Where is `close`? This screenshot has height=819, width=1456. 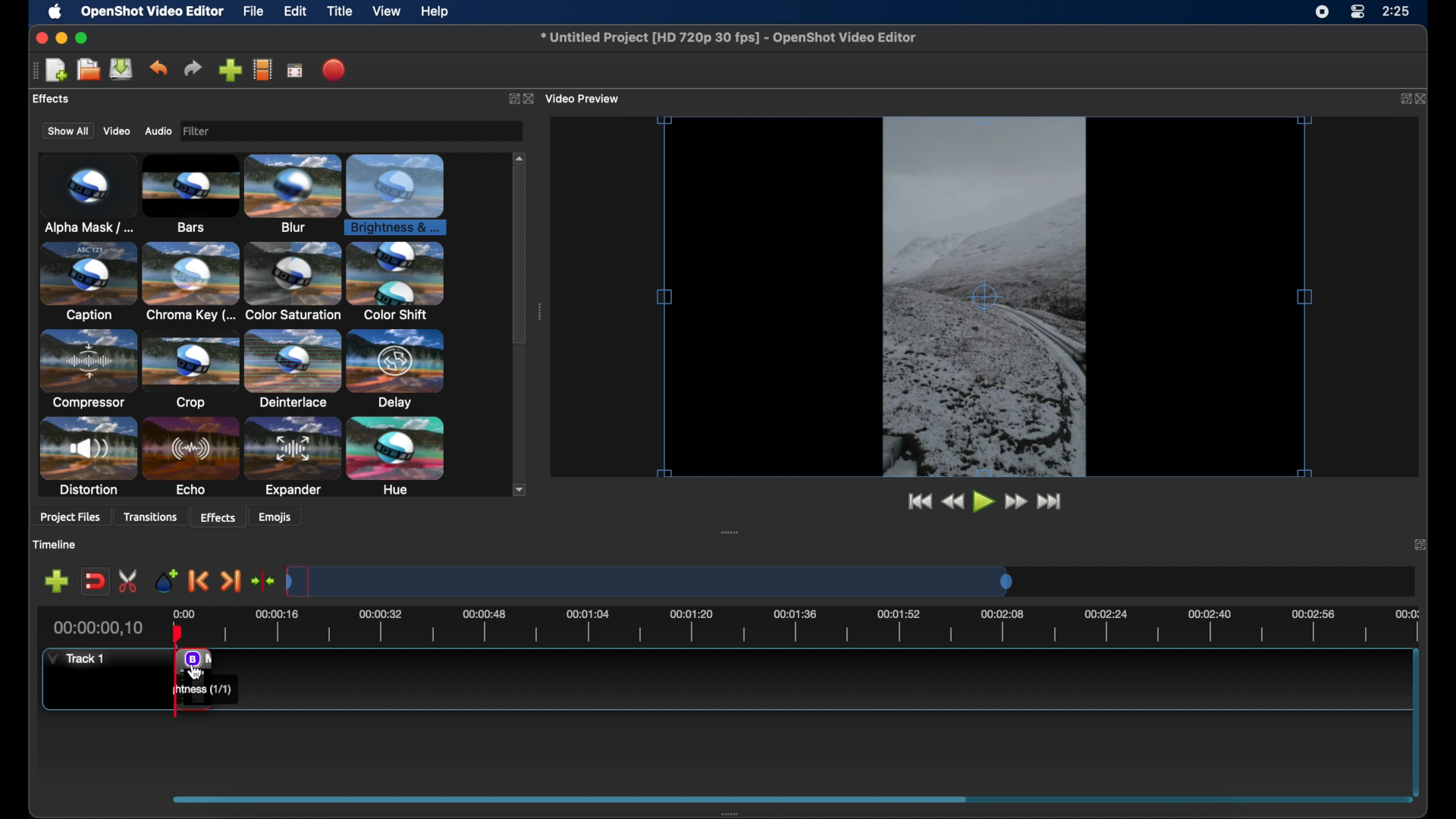 close is located at coordinates (529, 99).